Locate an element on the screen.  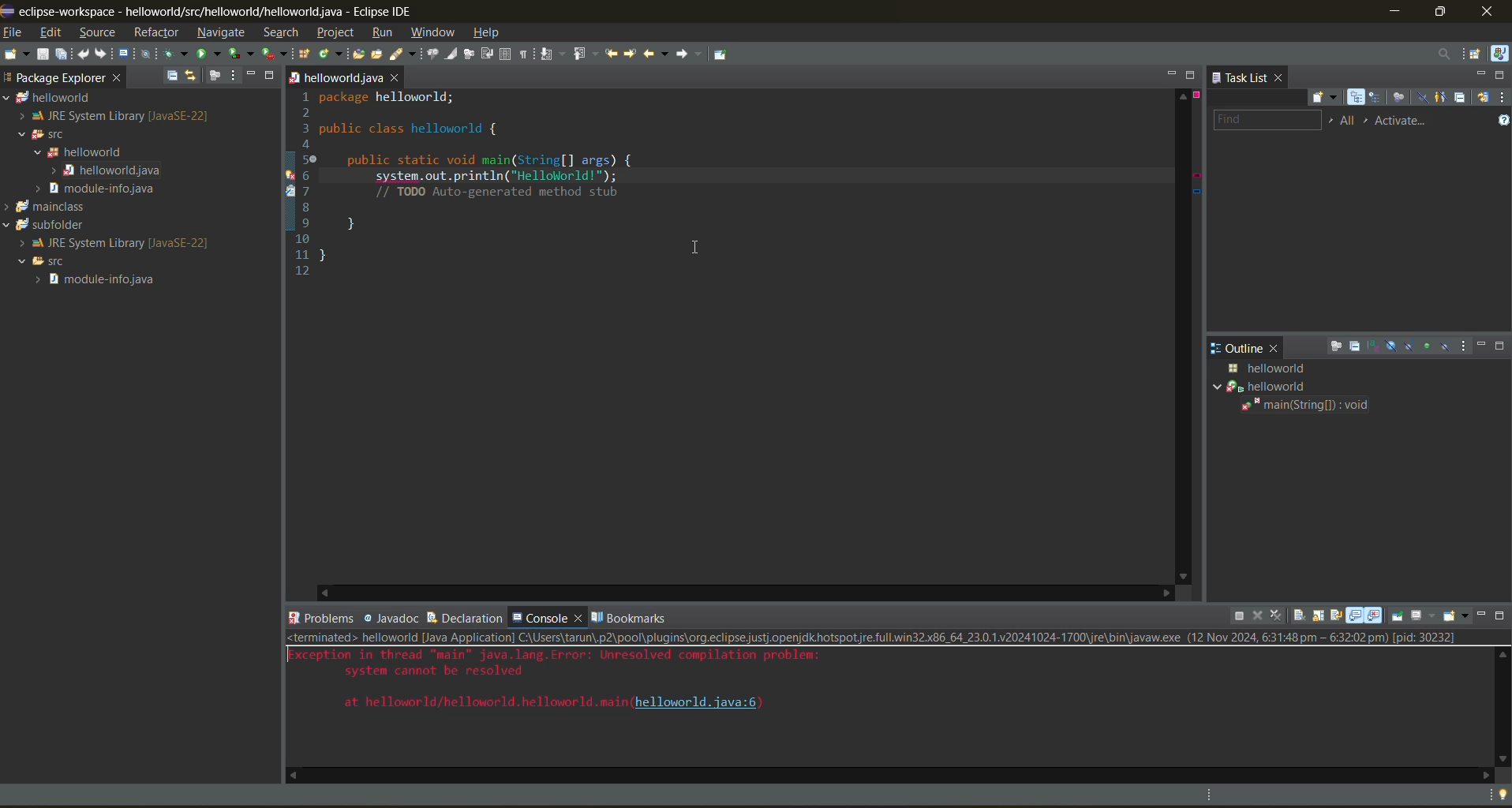
pin editor is located at coordinates (720, 54).